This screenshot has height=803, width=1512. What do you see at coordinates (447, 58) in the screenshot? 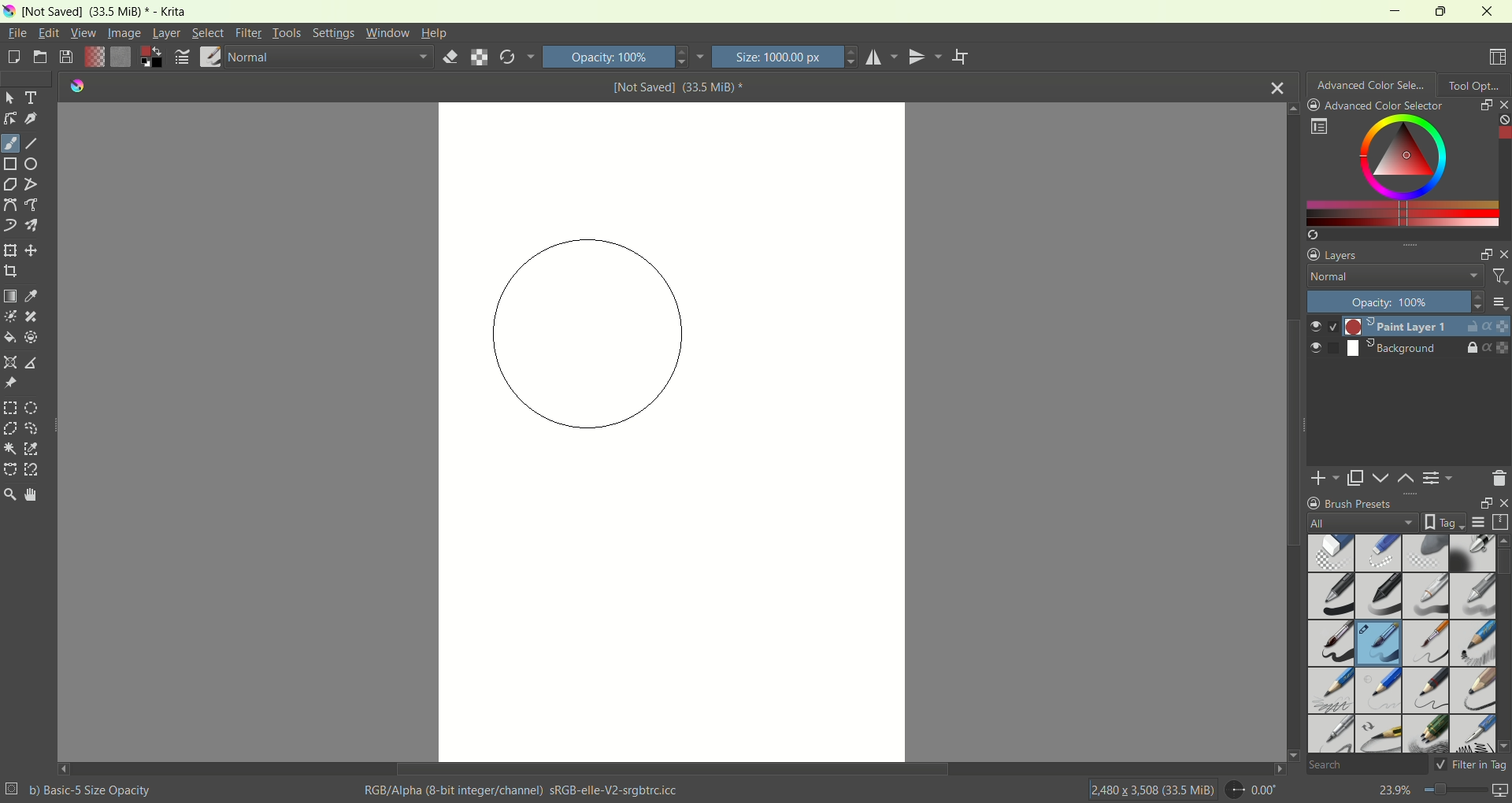
I see `eraser mode` at bounding box center [447, 58].